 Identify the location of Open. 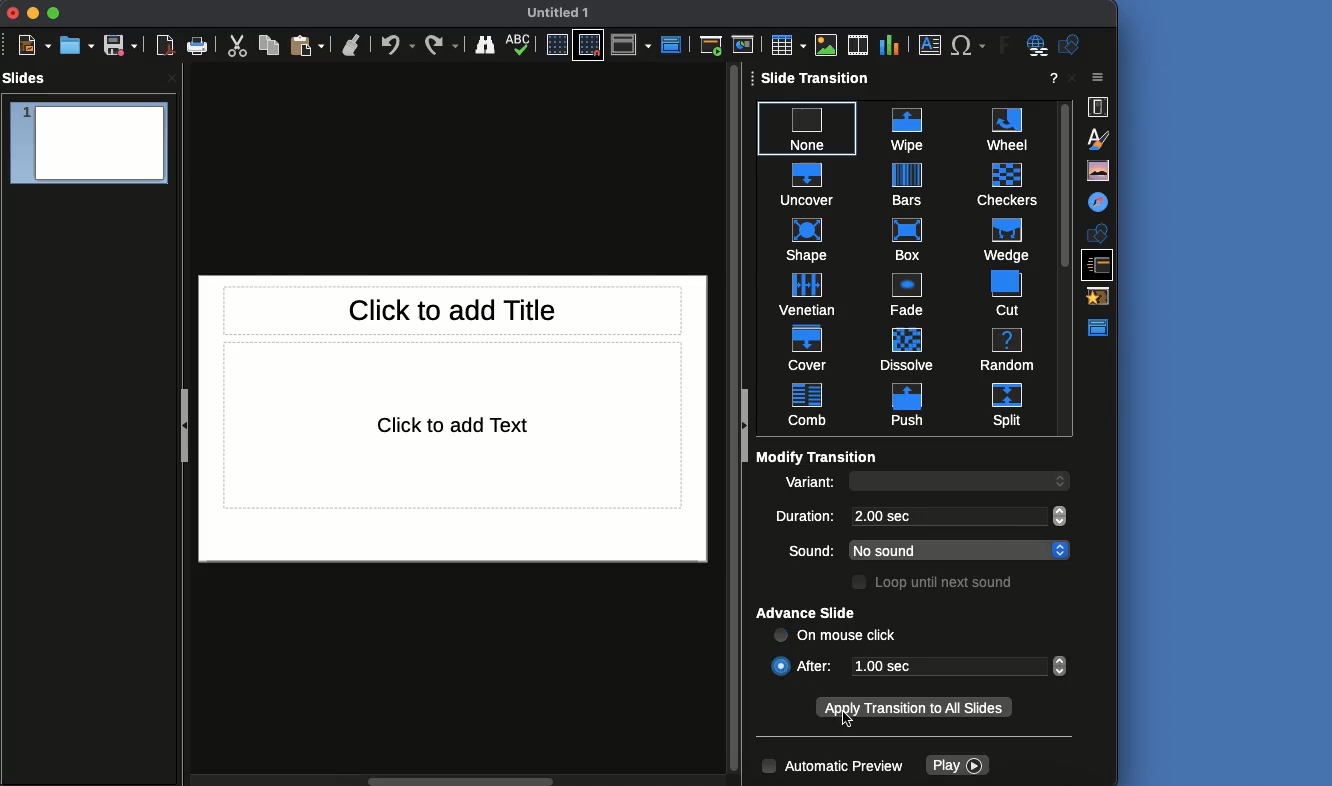
(78, 43).